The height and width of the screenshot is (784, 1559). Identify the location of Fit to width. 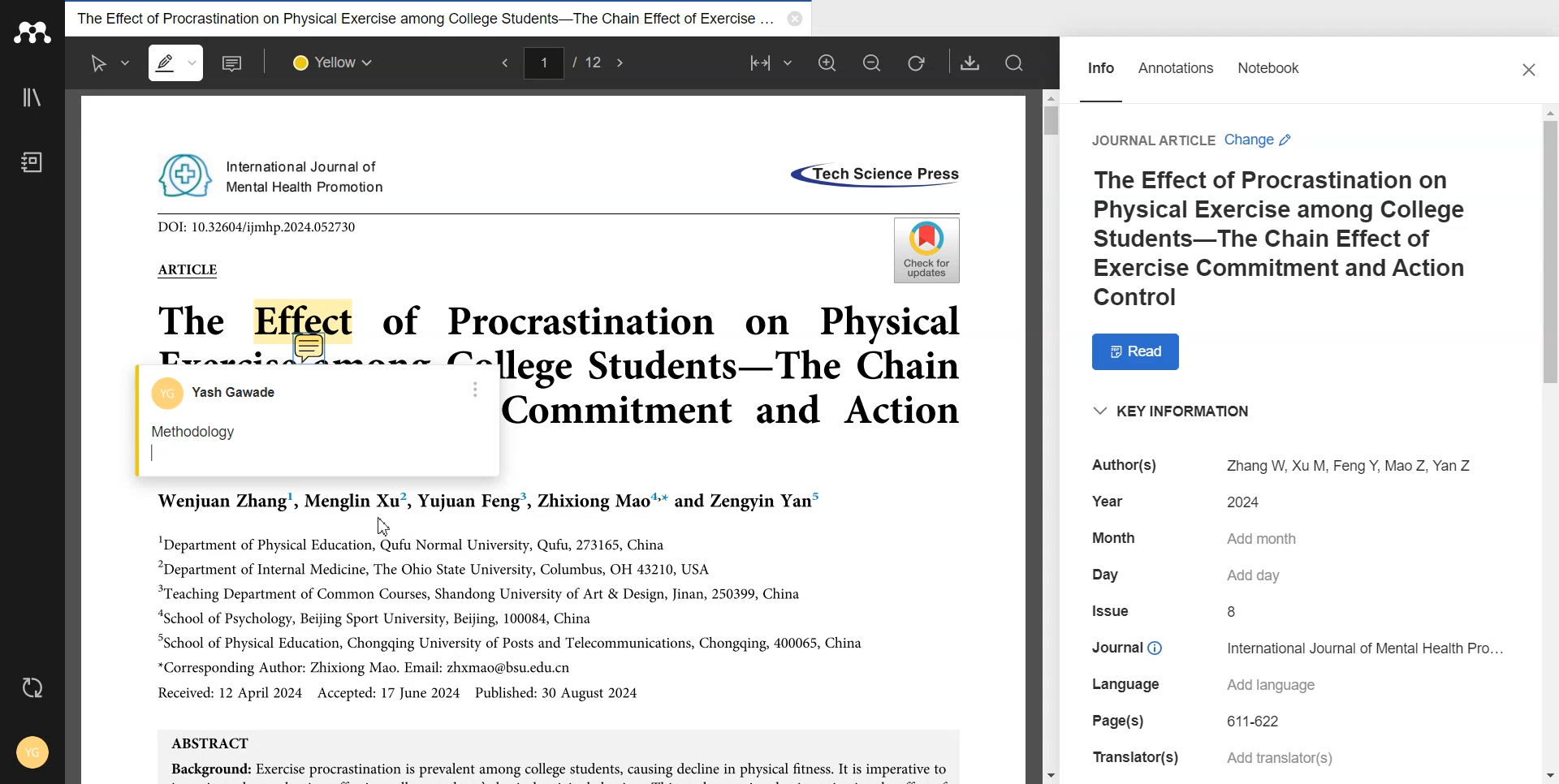
(773, 62).